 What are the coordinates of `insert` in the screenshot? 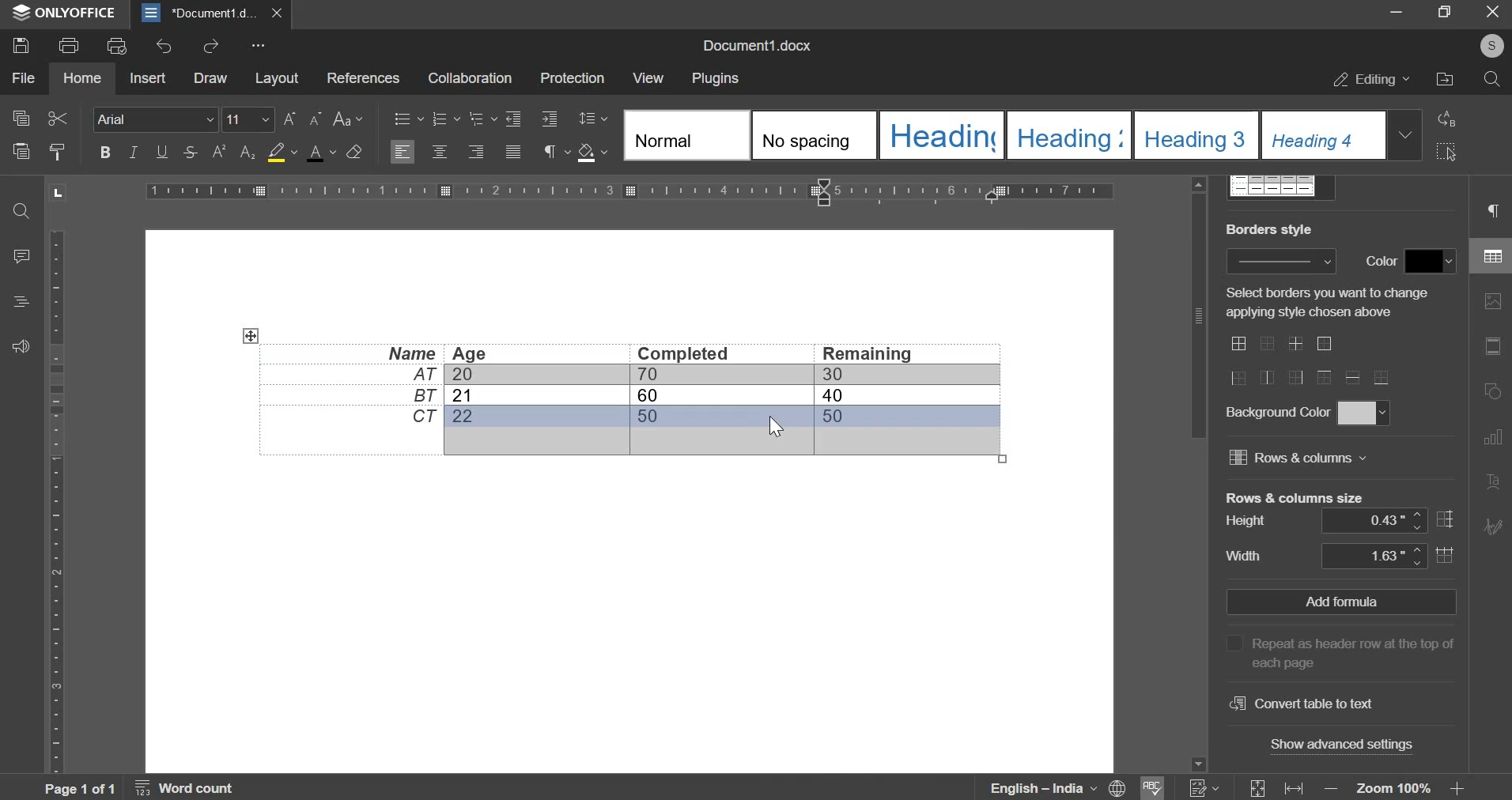 It's located at (146, 78).